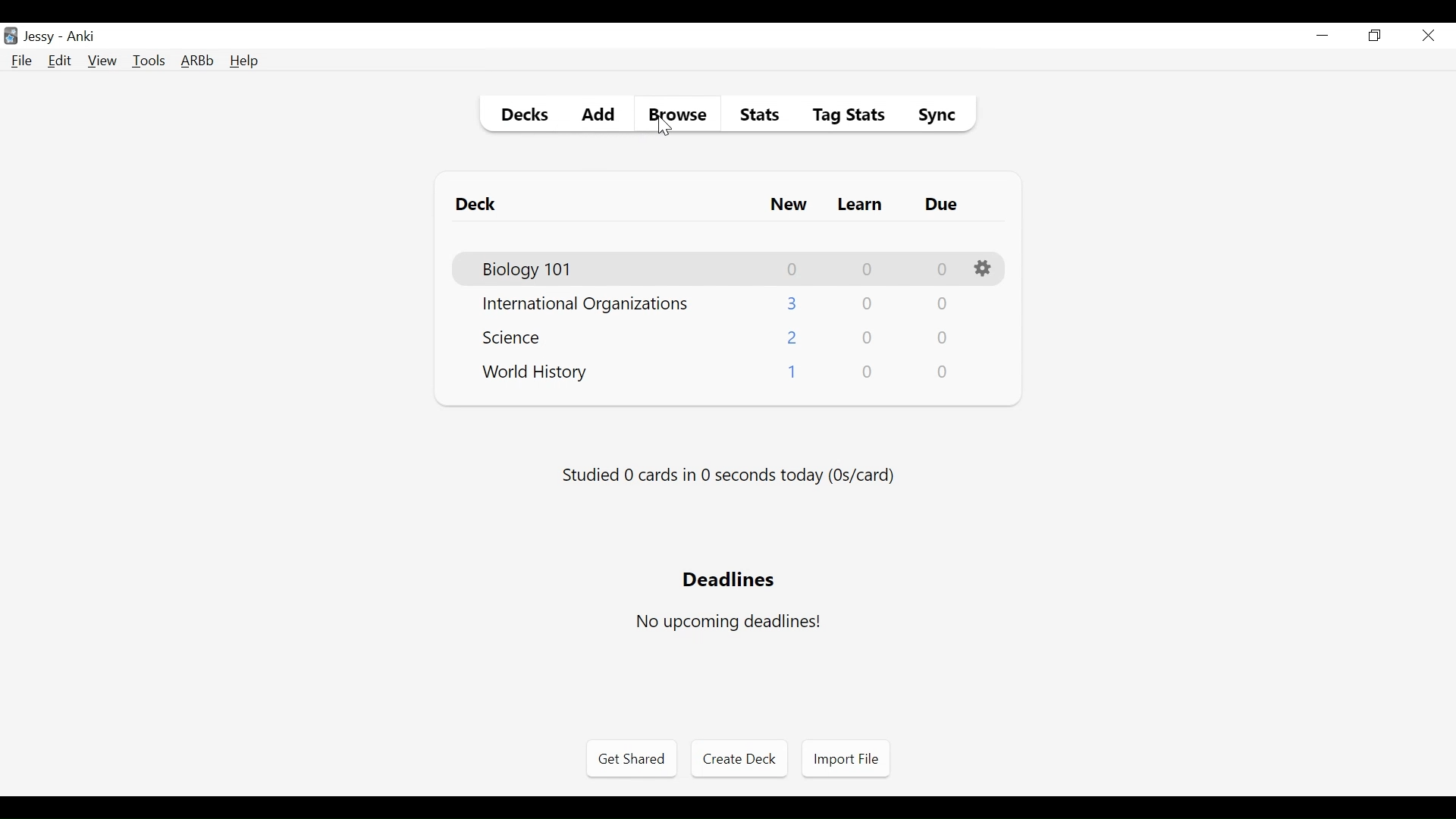 This screenshot has height=819, width=1456. Describe the element at coordinates (1428, 36) in the screenshot. I see `Close` at that location.